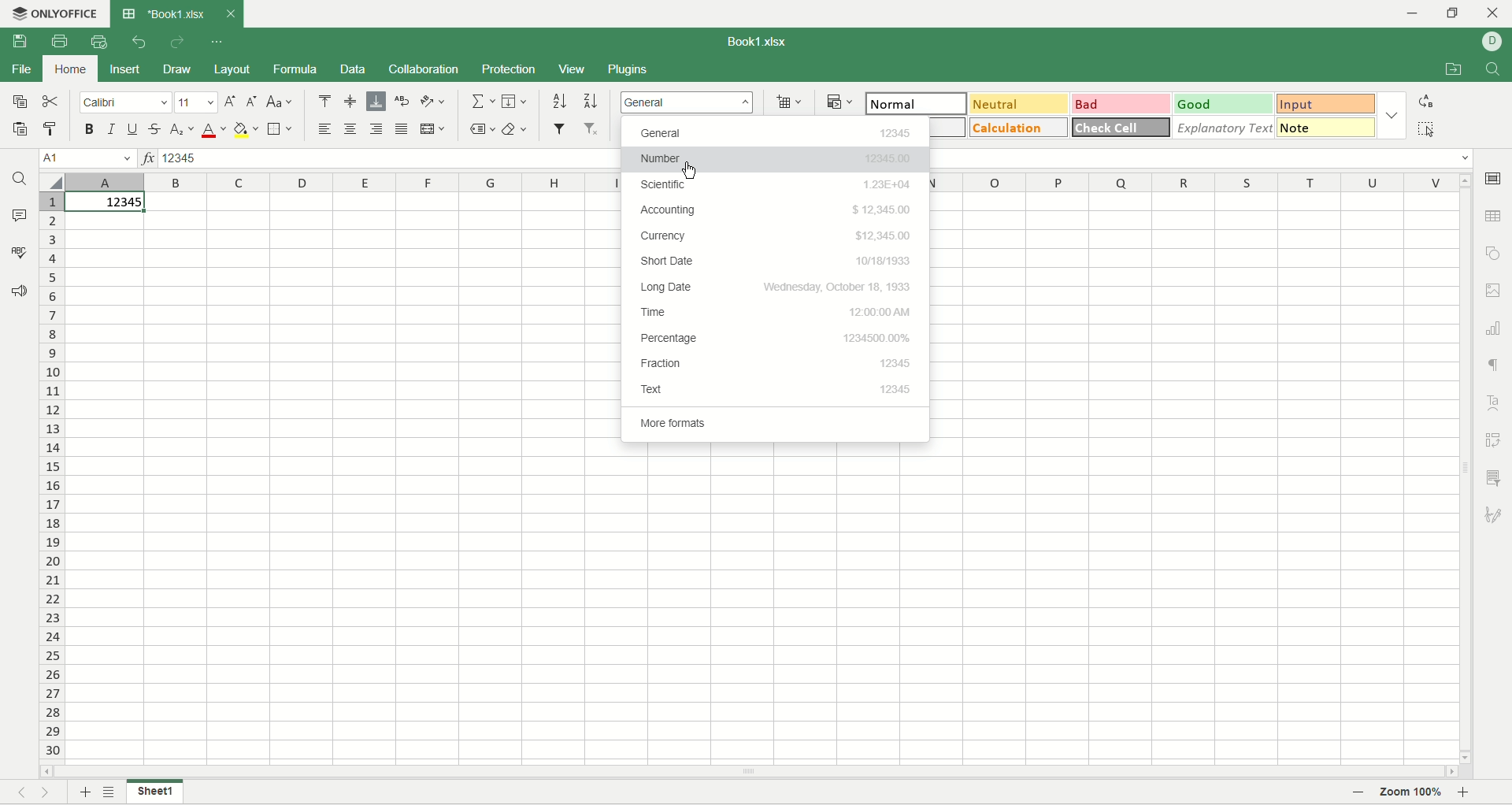  Describe the element at coordinates (1495, 365) in the screenshot. I see `paragraph settings` at that location.